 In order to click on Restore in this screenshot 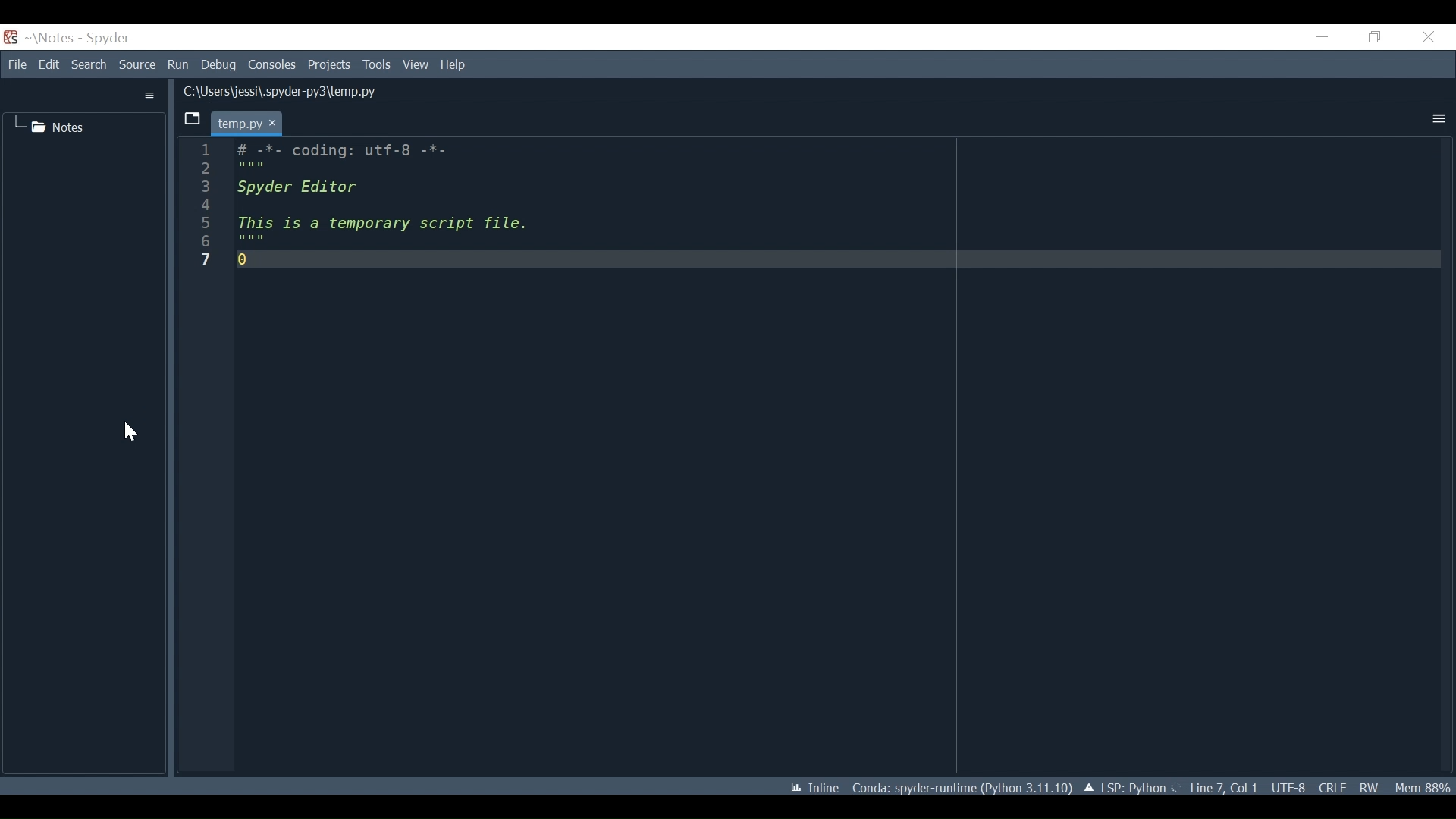, I will do `click(1374, 36)`.